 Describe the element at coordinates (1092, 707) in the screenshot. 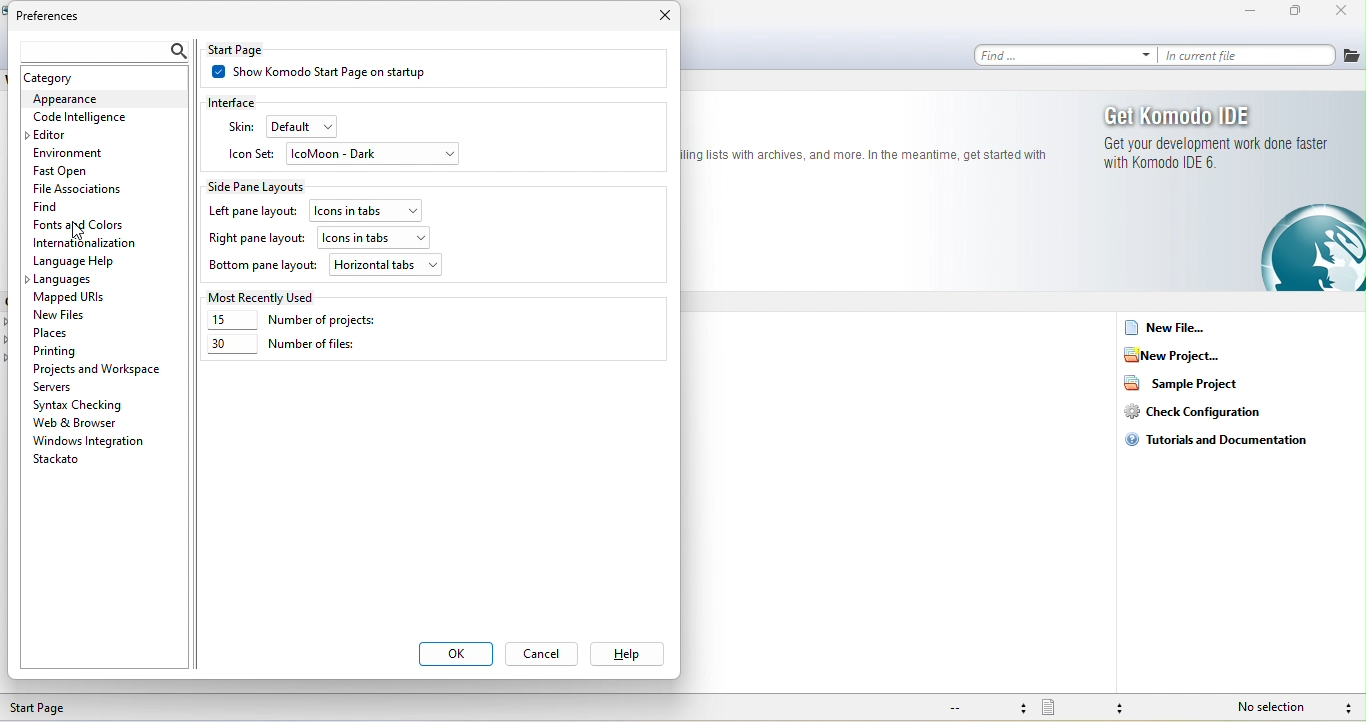

I see `file type` at that location.